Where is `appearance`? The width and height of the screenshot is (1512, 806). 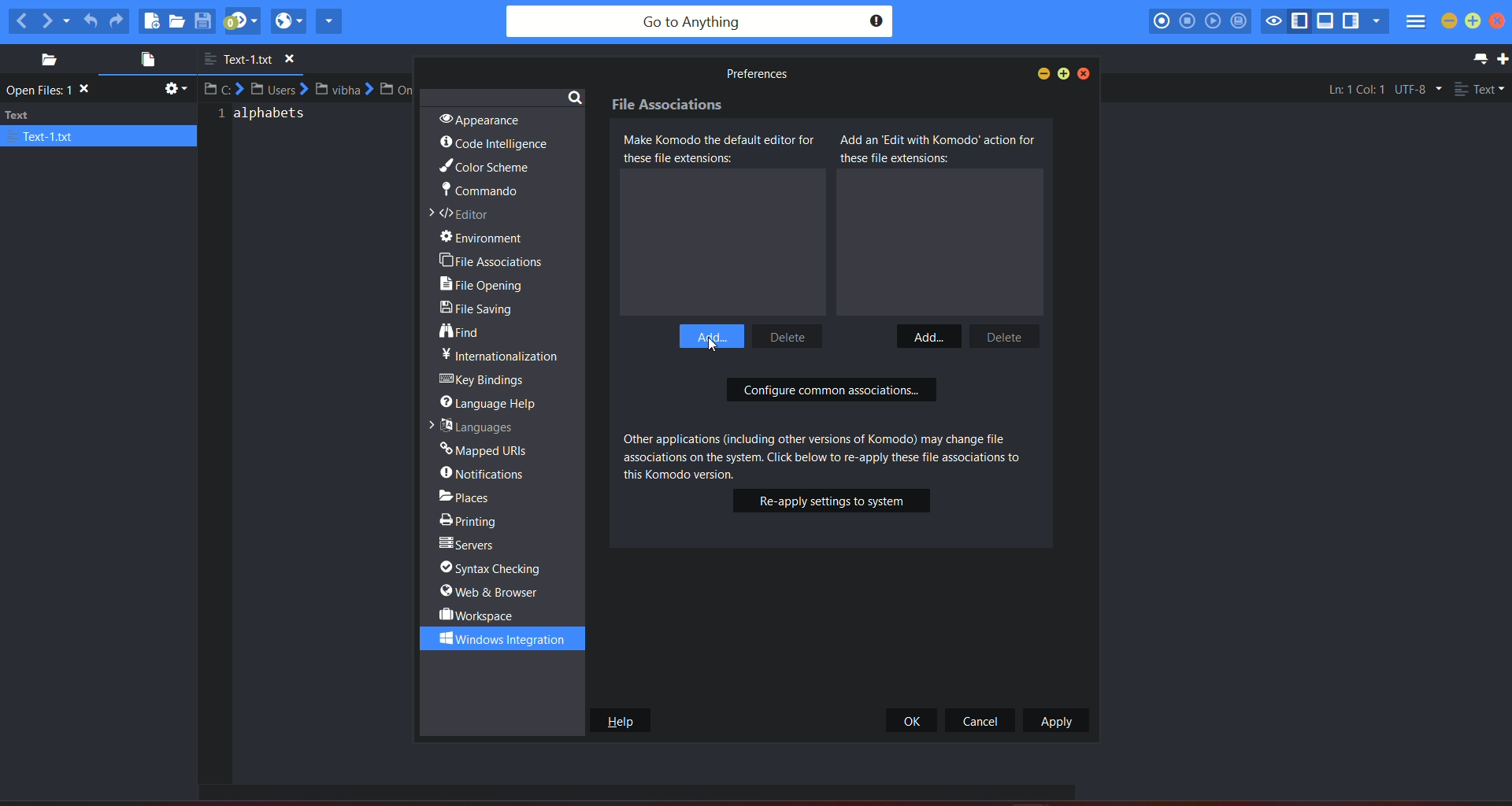
appearance is located at coordinates (480, 116).